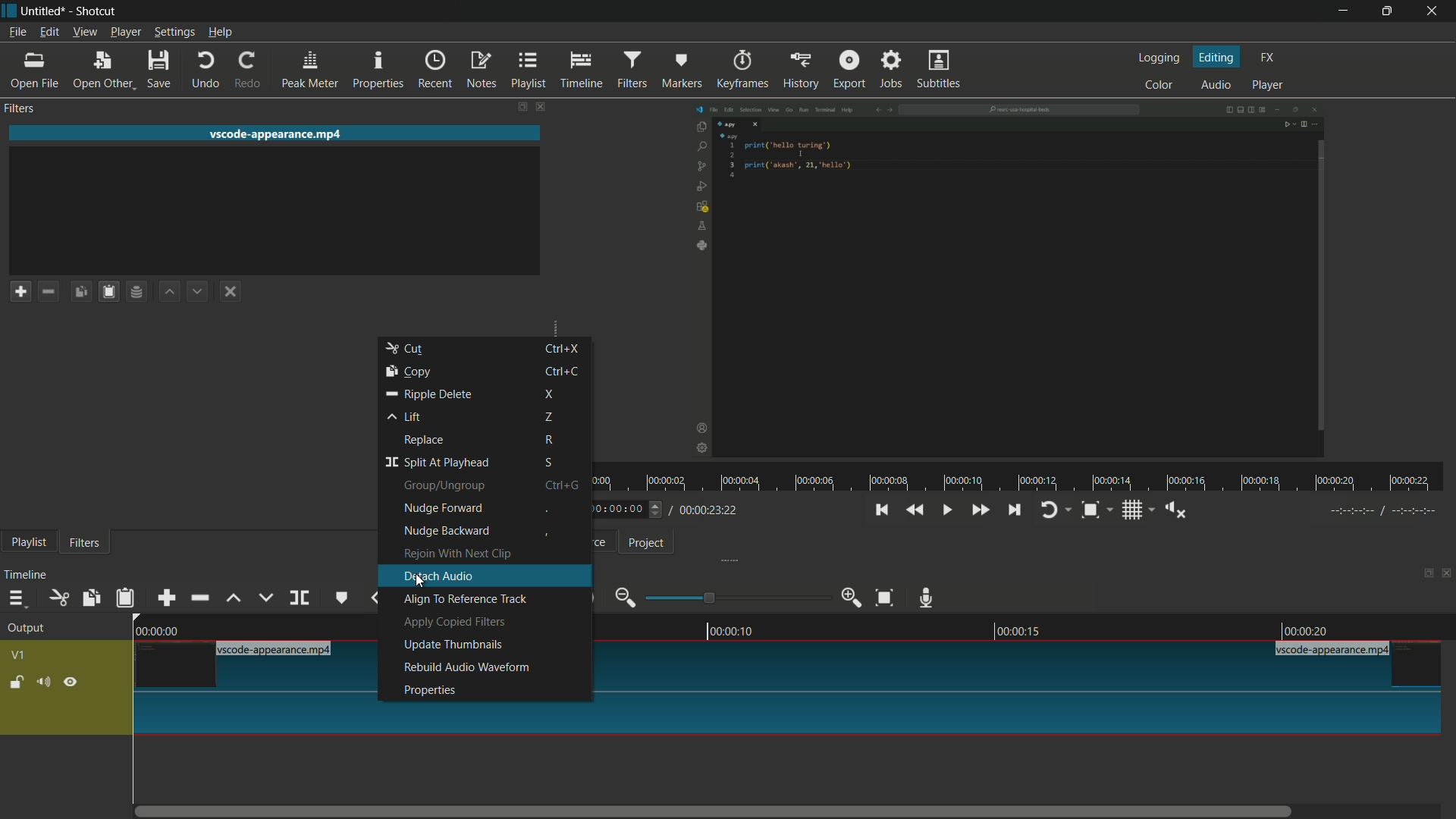 The width and height of the screenshot is (1456, 819). Describe the element at coordinates (723, 560) in the screenshot. I see `expand` at that location.